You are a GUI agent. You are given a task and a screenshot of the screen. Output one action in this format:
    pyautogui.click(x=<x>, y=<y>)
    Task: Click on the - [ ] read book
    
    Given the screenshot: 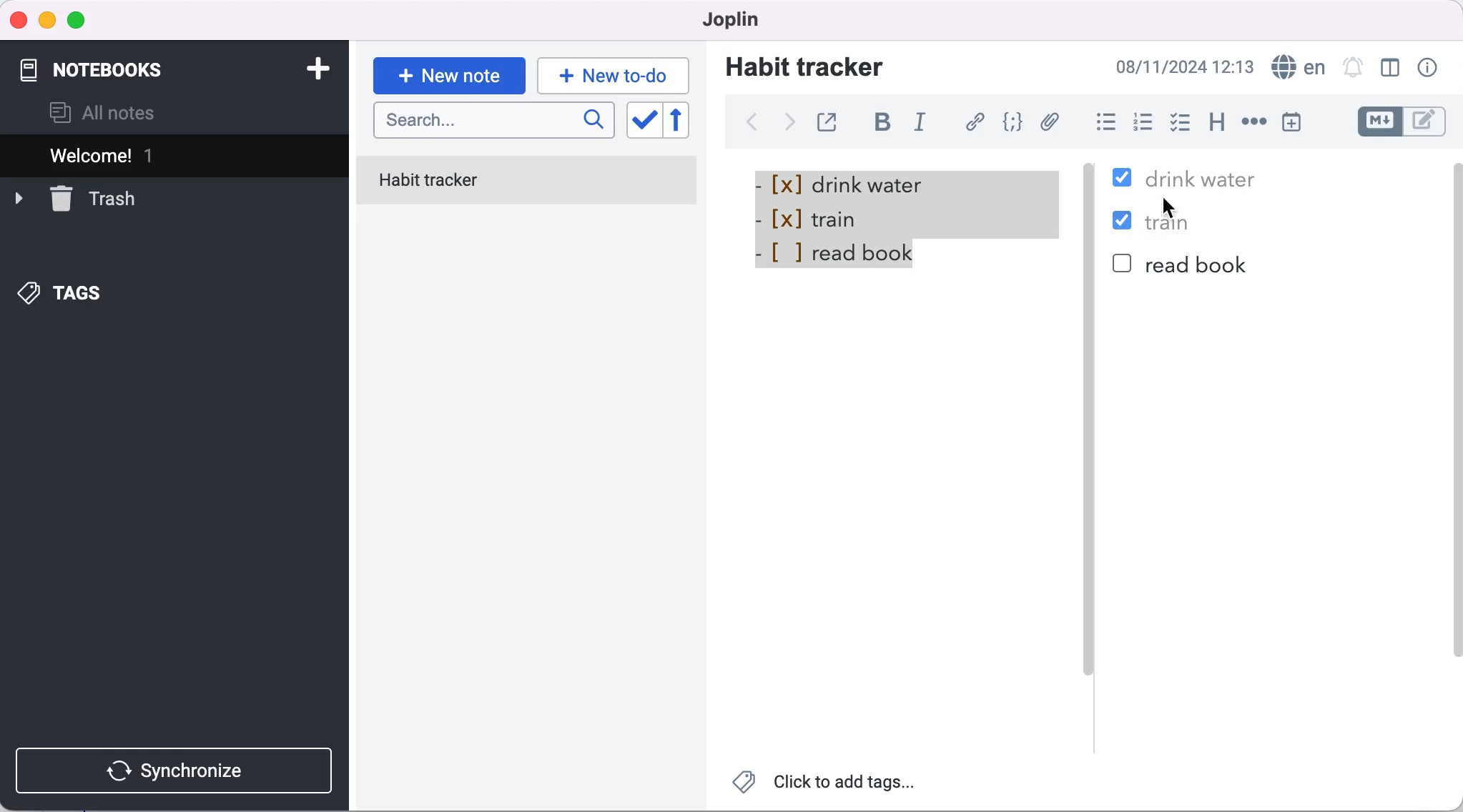 What is the action you would take?
    pyautogui.click(x=834, y=257)
    